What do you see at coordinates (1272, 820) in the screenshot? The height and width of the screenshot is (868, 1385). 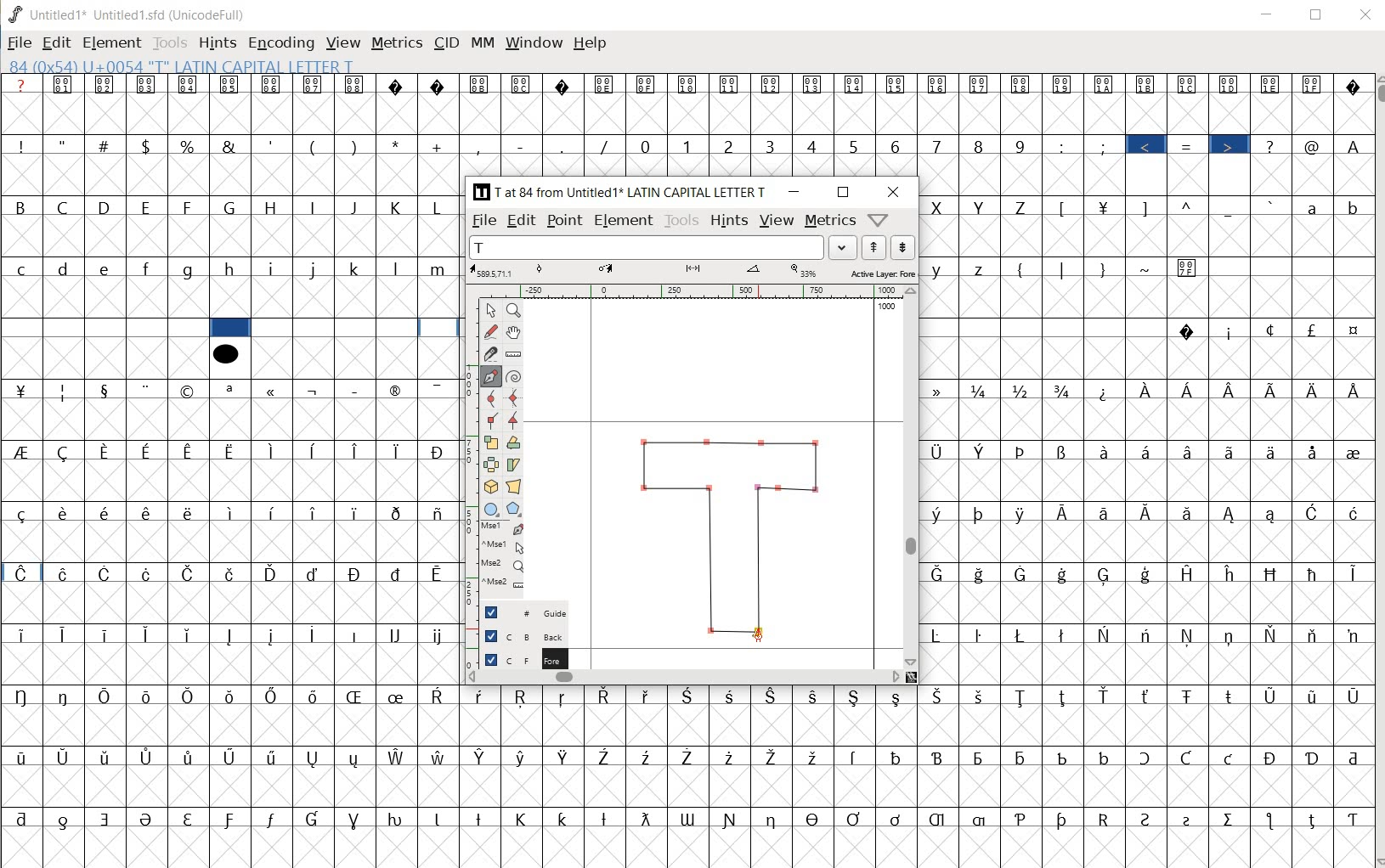 I see `Symbol` at bounding box center [1272, 820].